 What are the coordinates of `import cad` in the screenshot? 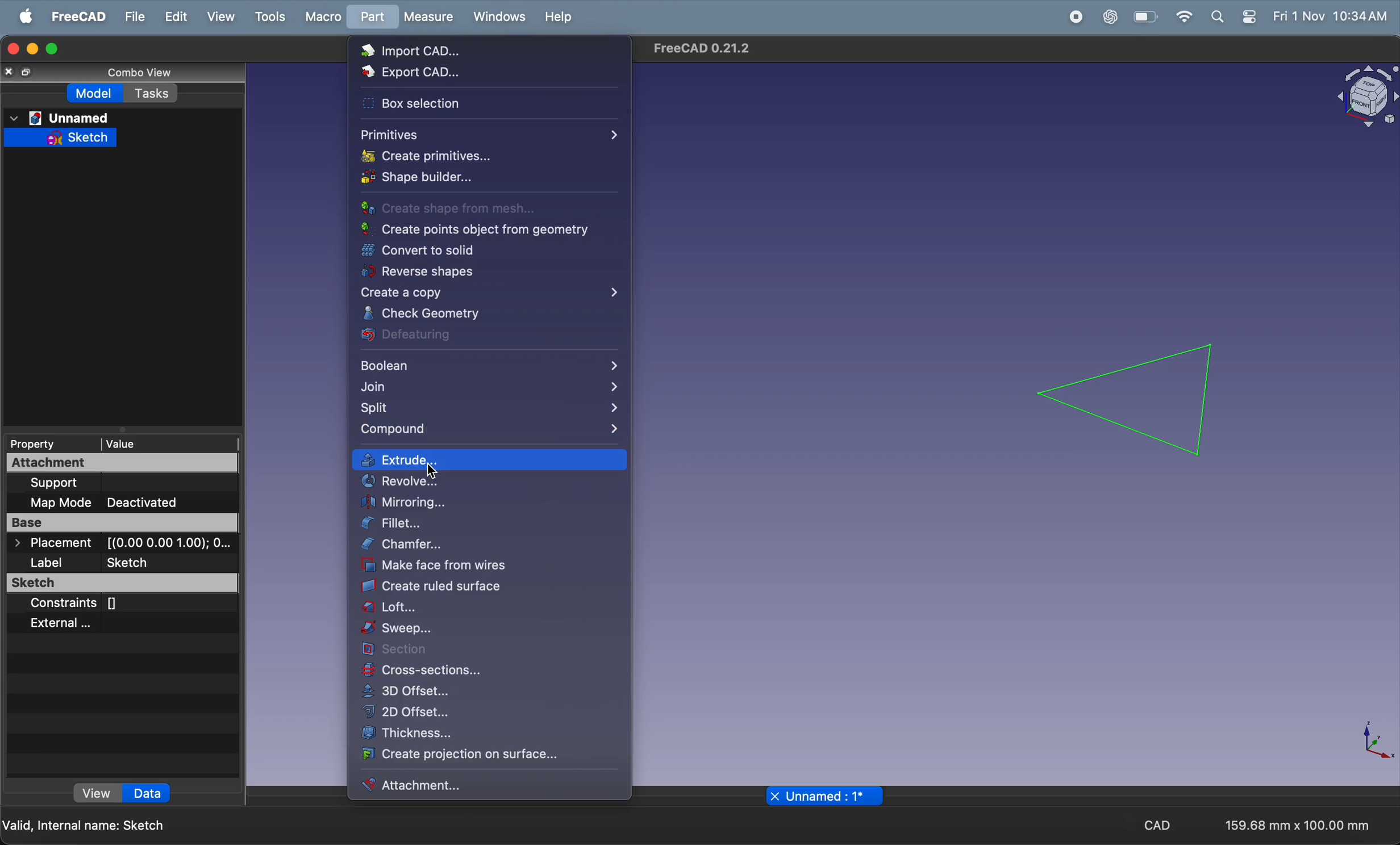 It's located at (424, 54).